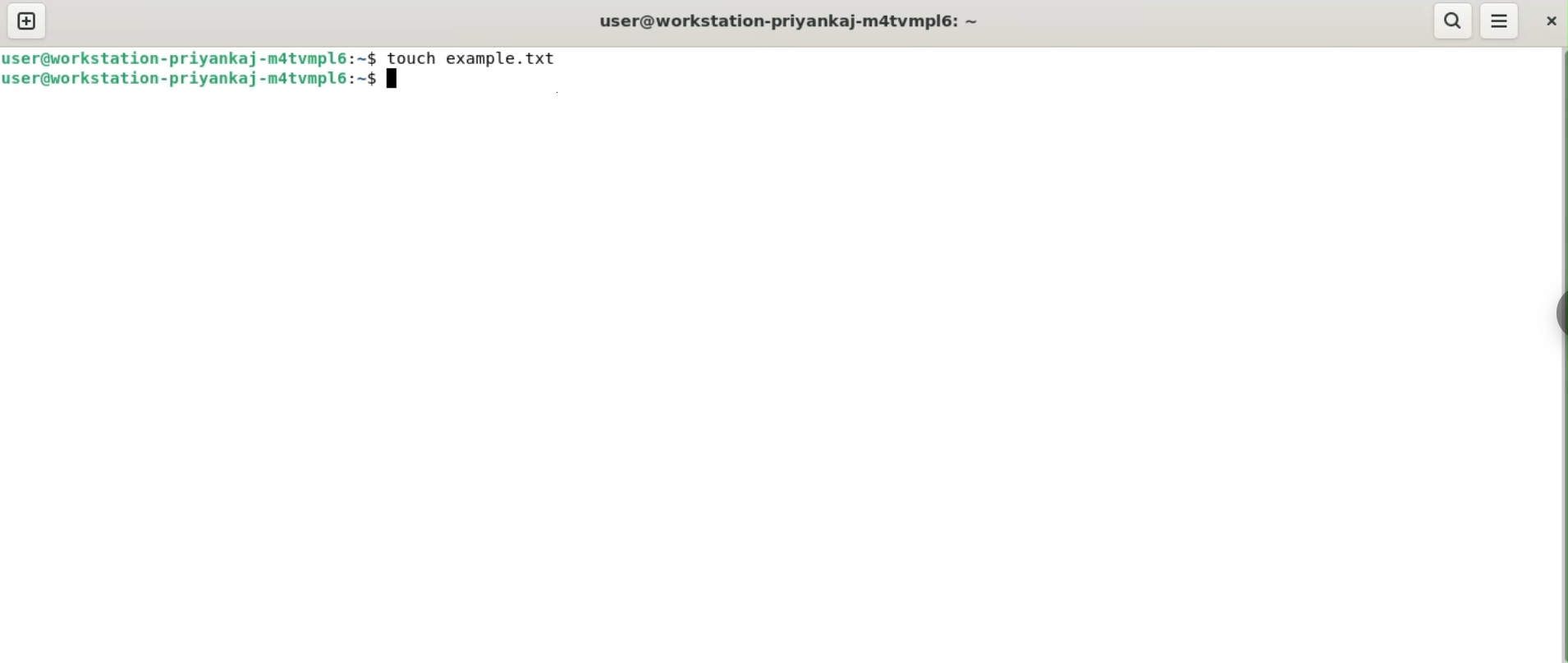 The width and height of the screenshot is (1568, 663). Describe the element at coordinates (397, 82) in the screenshot. I see `cursor` at that location.